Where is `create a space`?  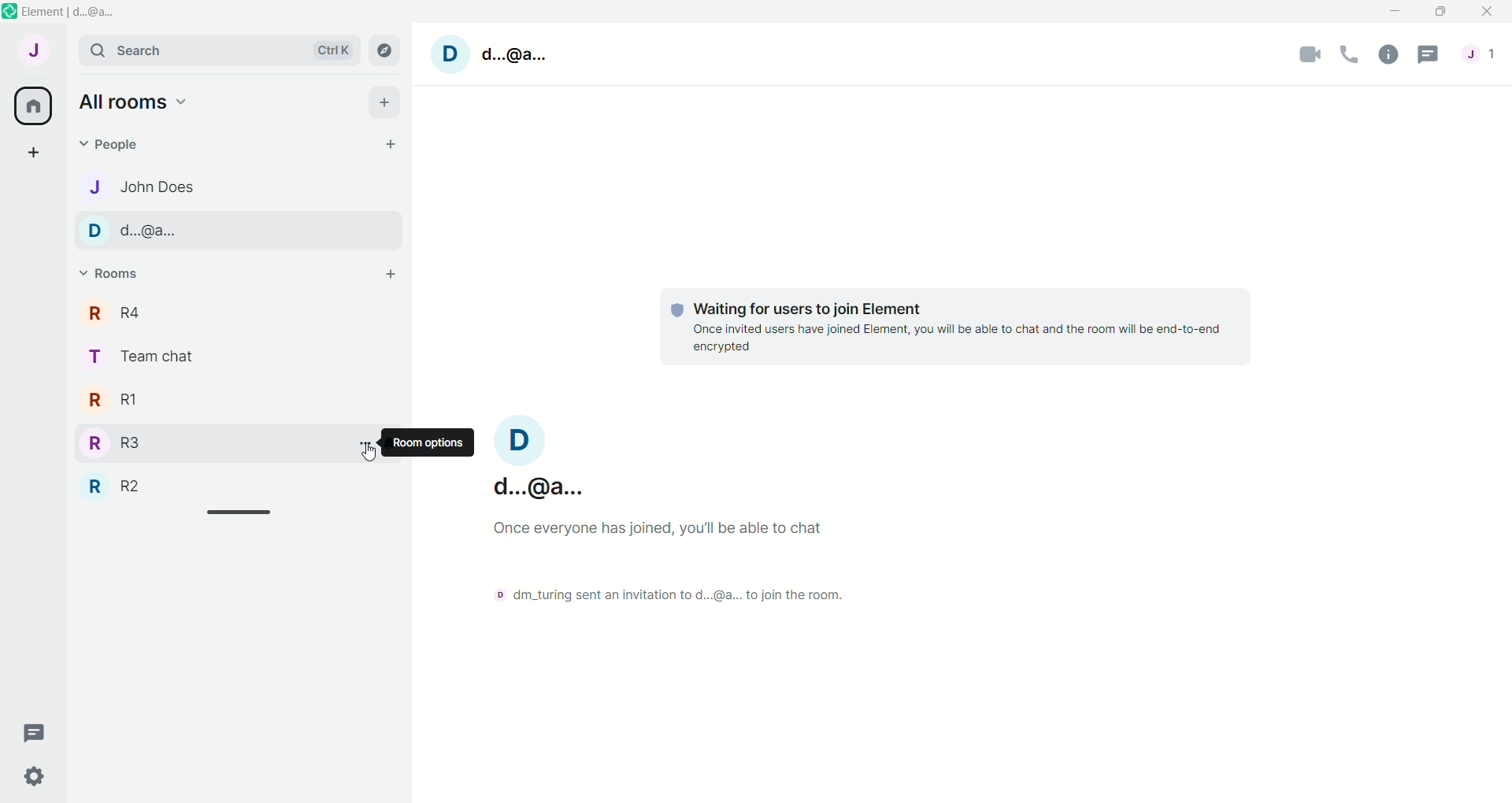
create a space is located at coordinates (31, 151).